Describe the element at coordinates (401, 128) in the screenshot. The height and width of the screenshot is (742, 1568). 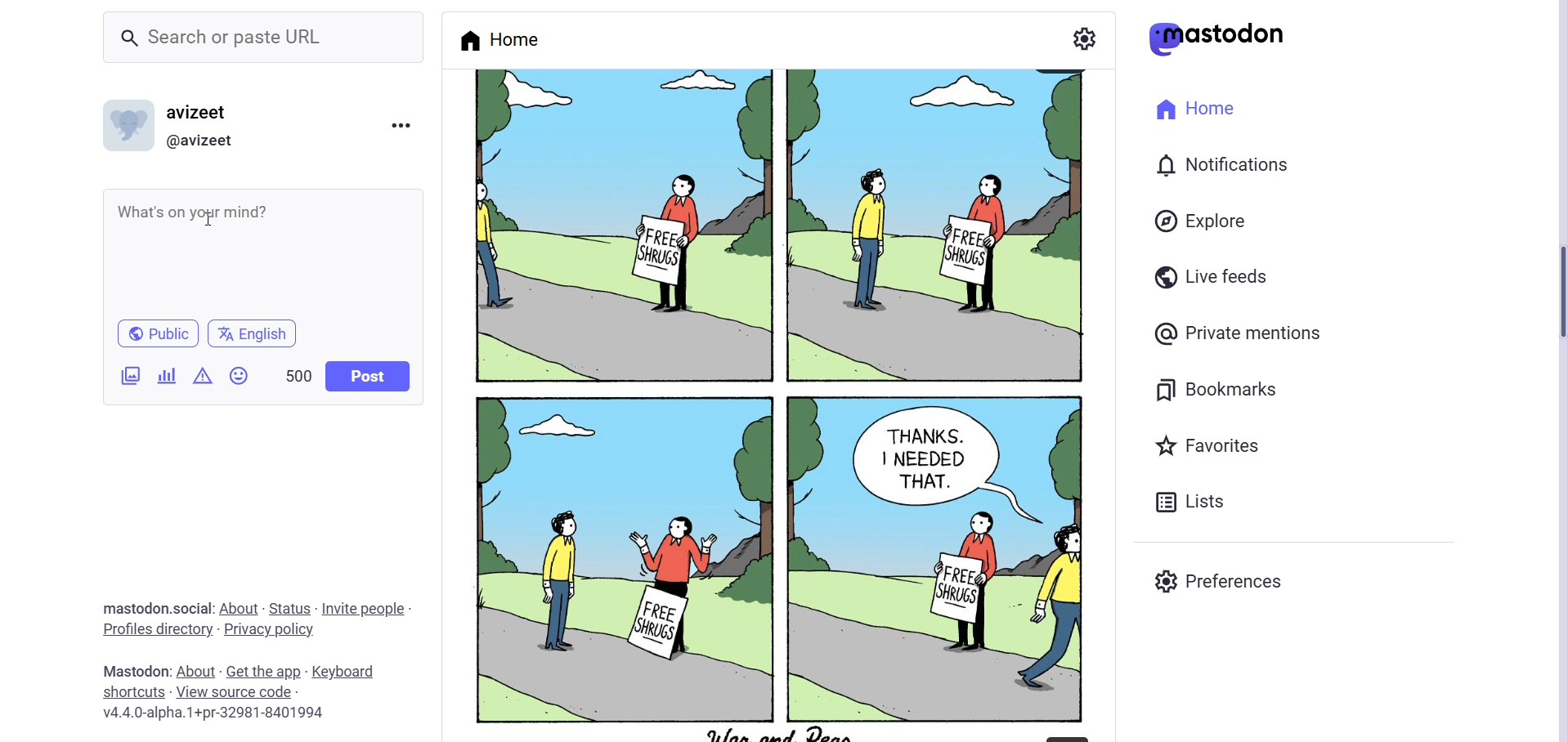
I see `Menu` at that location.